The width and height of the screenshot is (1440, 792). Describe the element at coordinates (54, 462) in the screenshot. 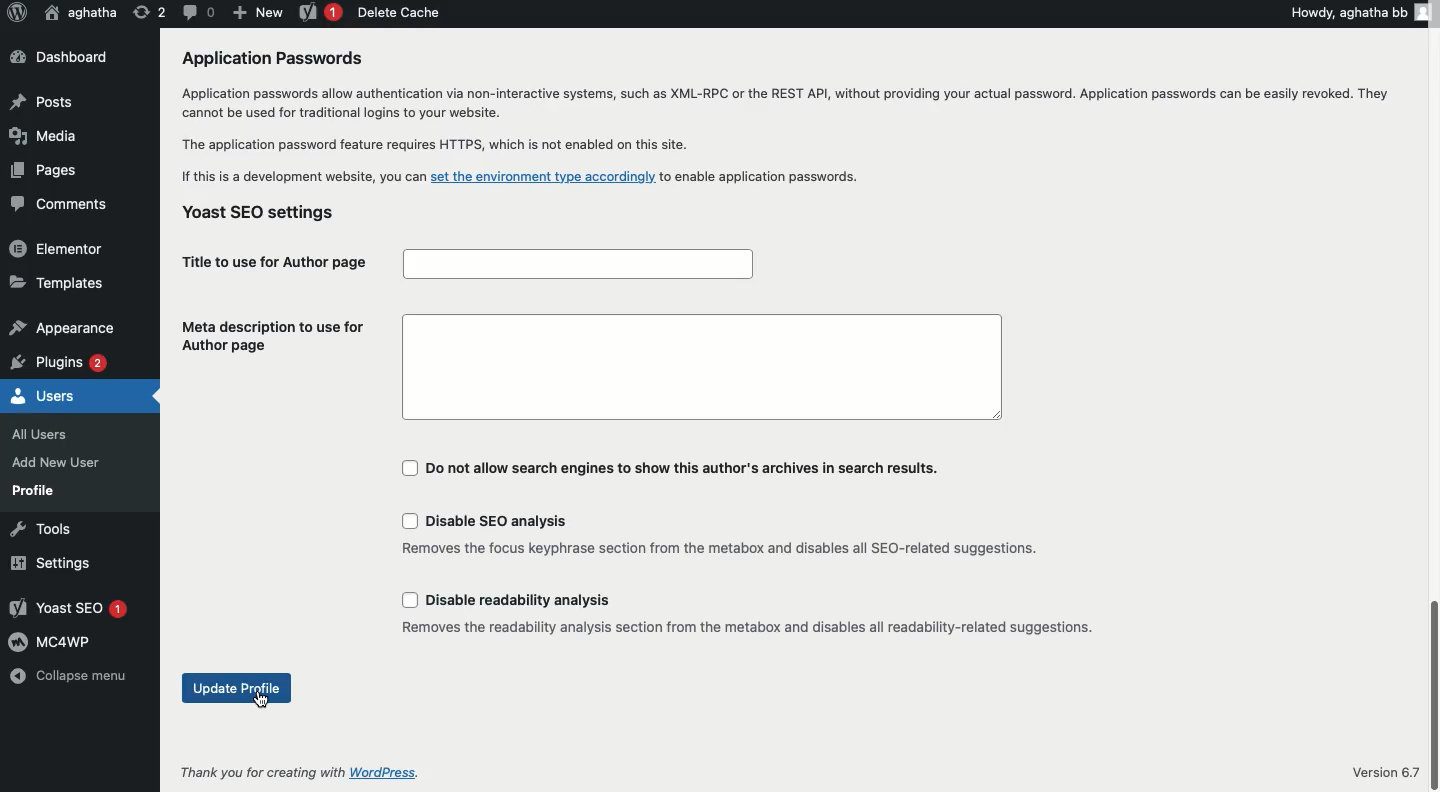

I see `Add New User` at that location.